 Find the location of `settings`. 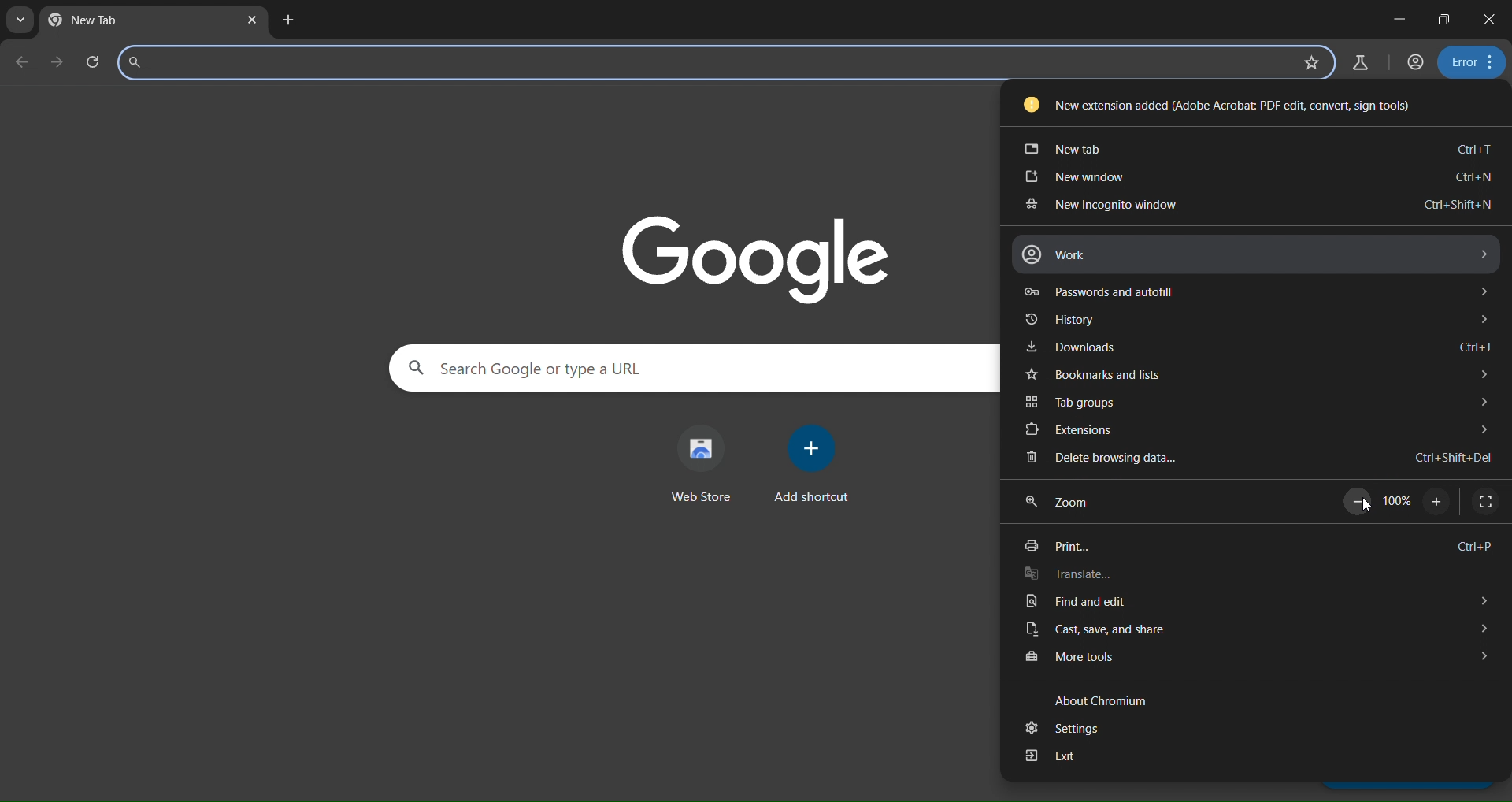

settings is located at coordinates (1255, 728).